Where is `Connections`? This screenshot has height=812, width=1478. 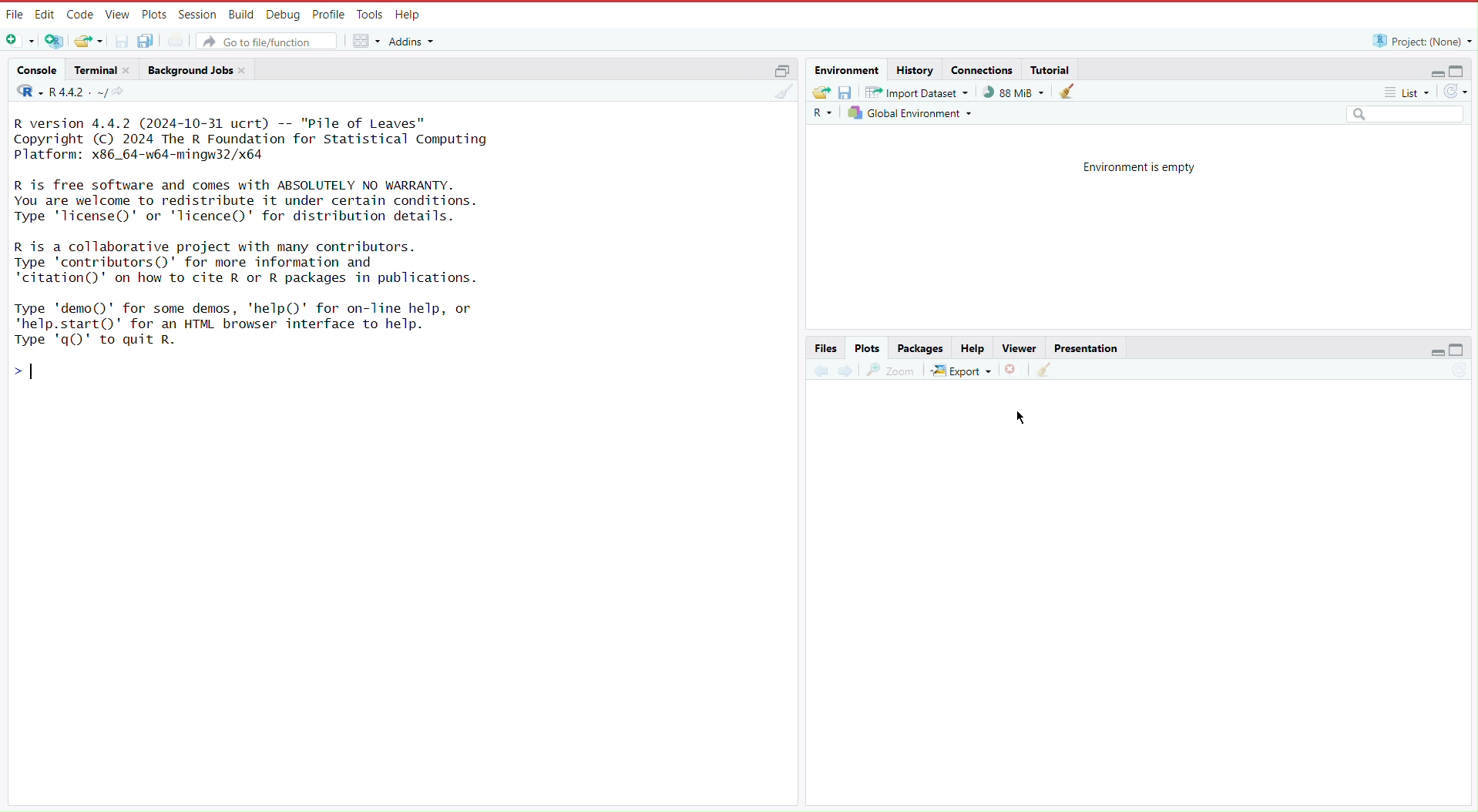
Connections is located at coordinates (983, 69).